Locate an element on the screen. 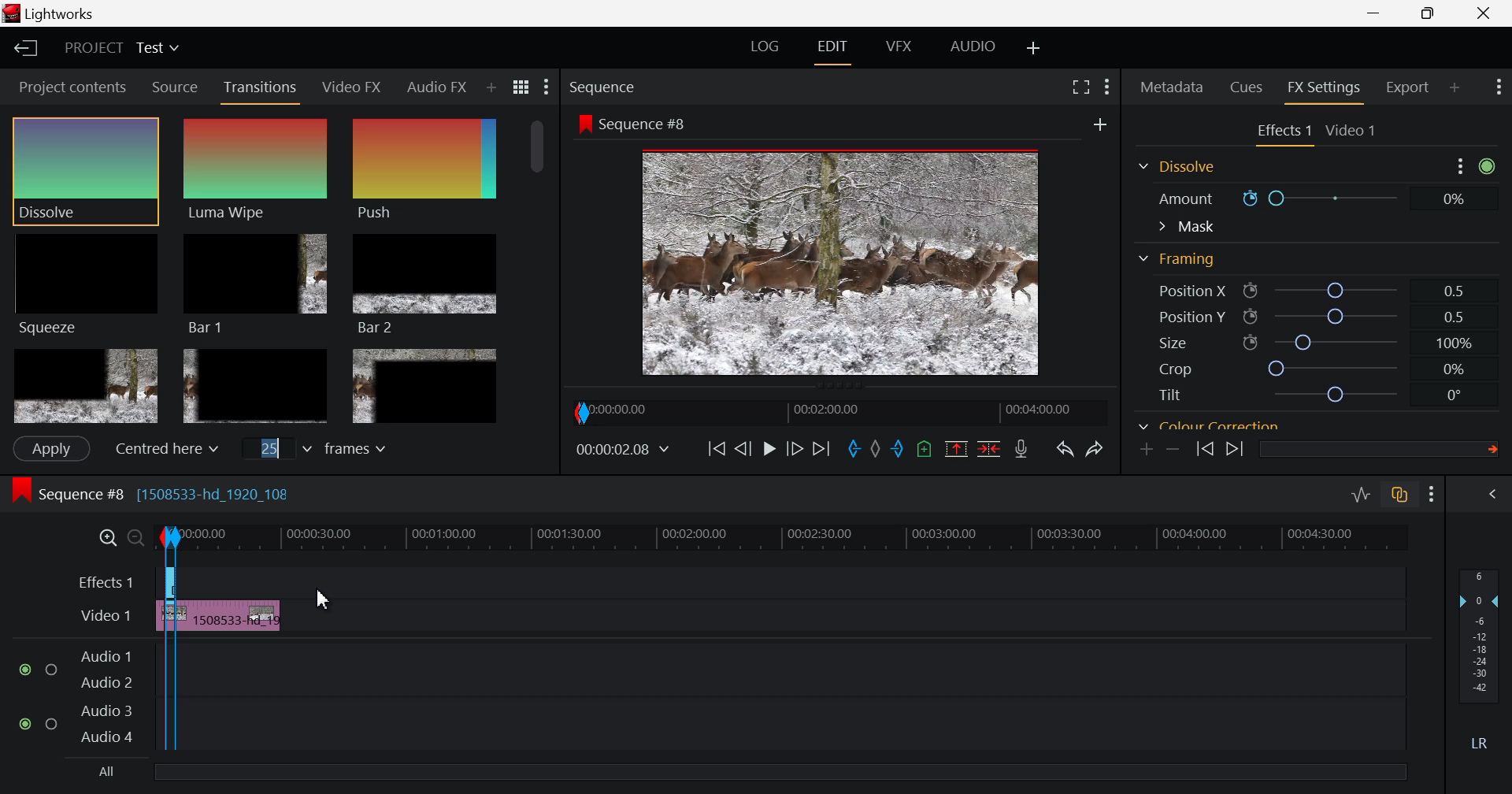  Project contents is located at coordinates (67, 87).